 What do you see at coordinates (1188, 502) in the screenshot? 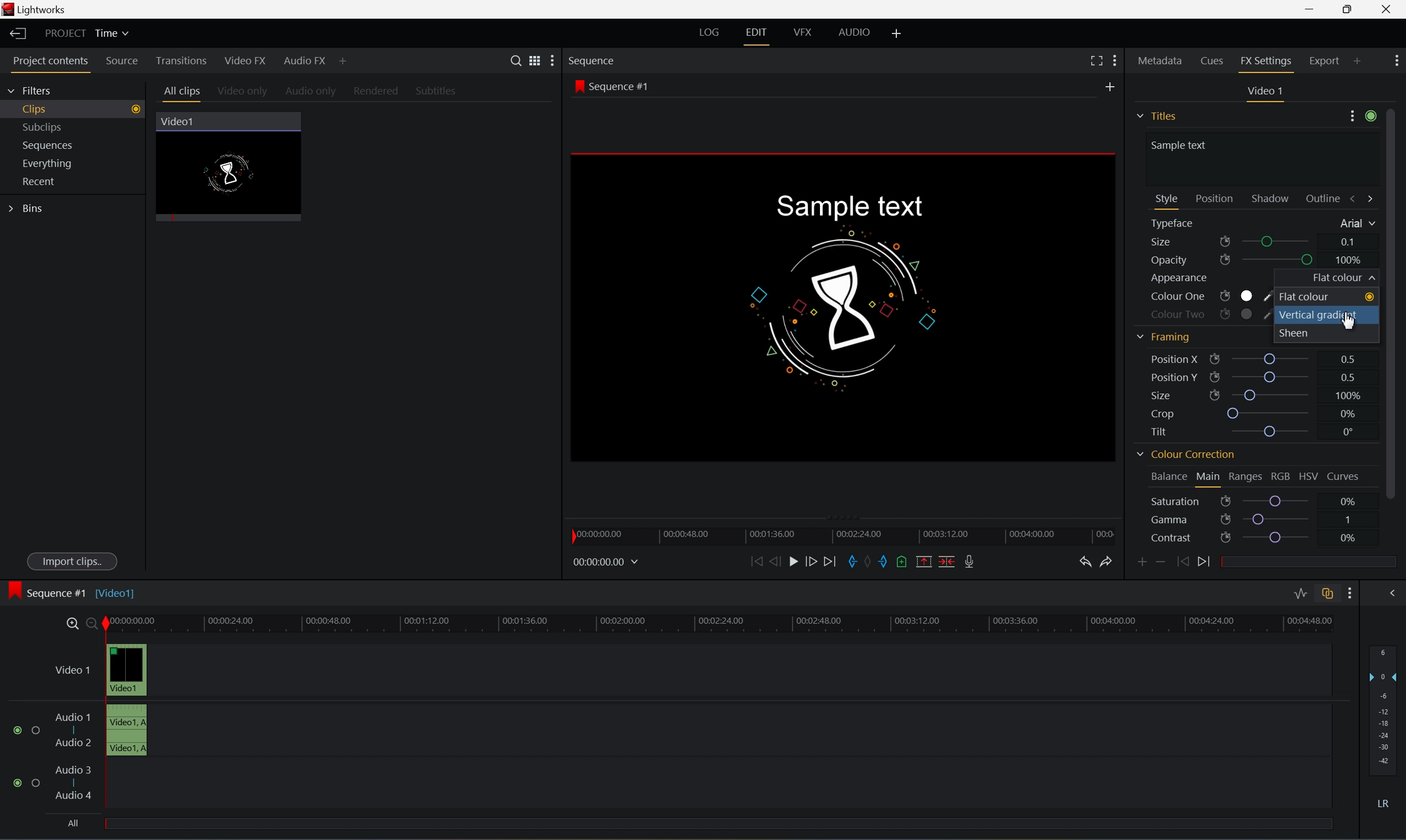
I see `saturation` at bounding box center [1188, 502].